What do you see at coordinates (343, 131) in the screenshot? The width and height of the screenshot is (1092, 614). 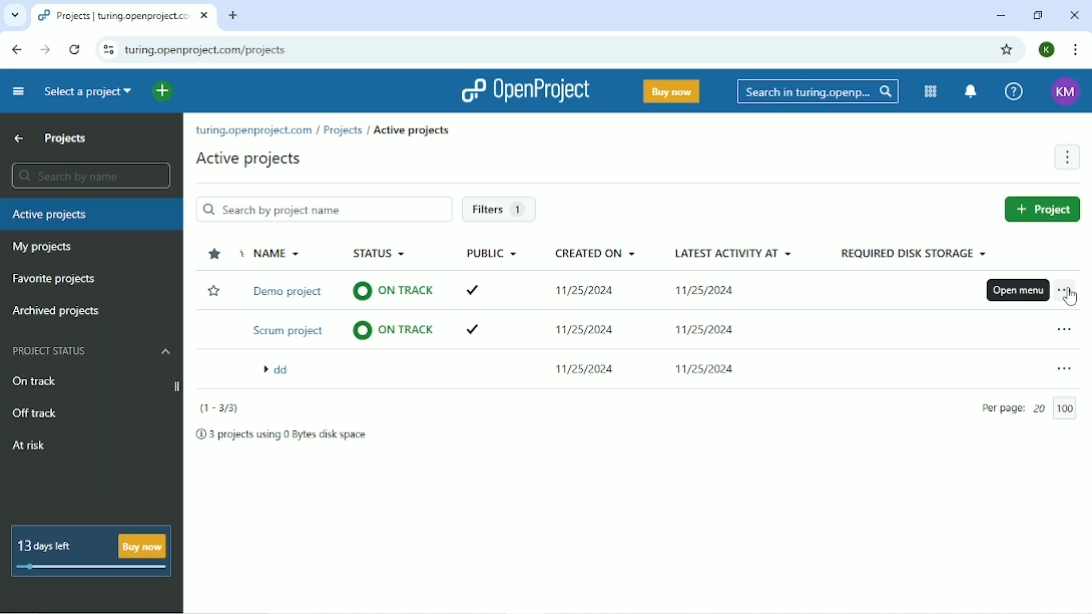 I see `Projects` at bounding box center [343, 131].